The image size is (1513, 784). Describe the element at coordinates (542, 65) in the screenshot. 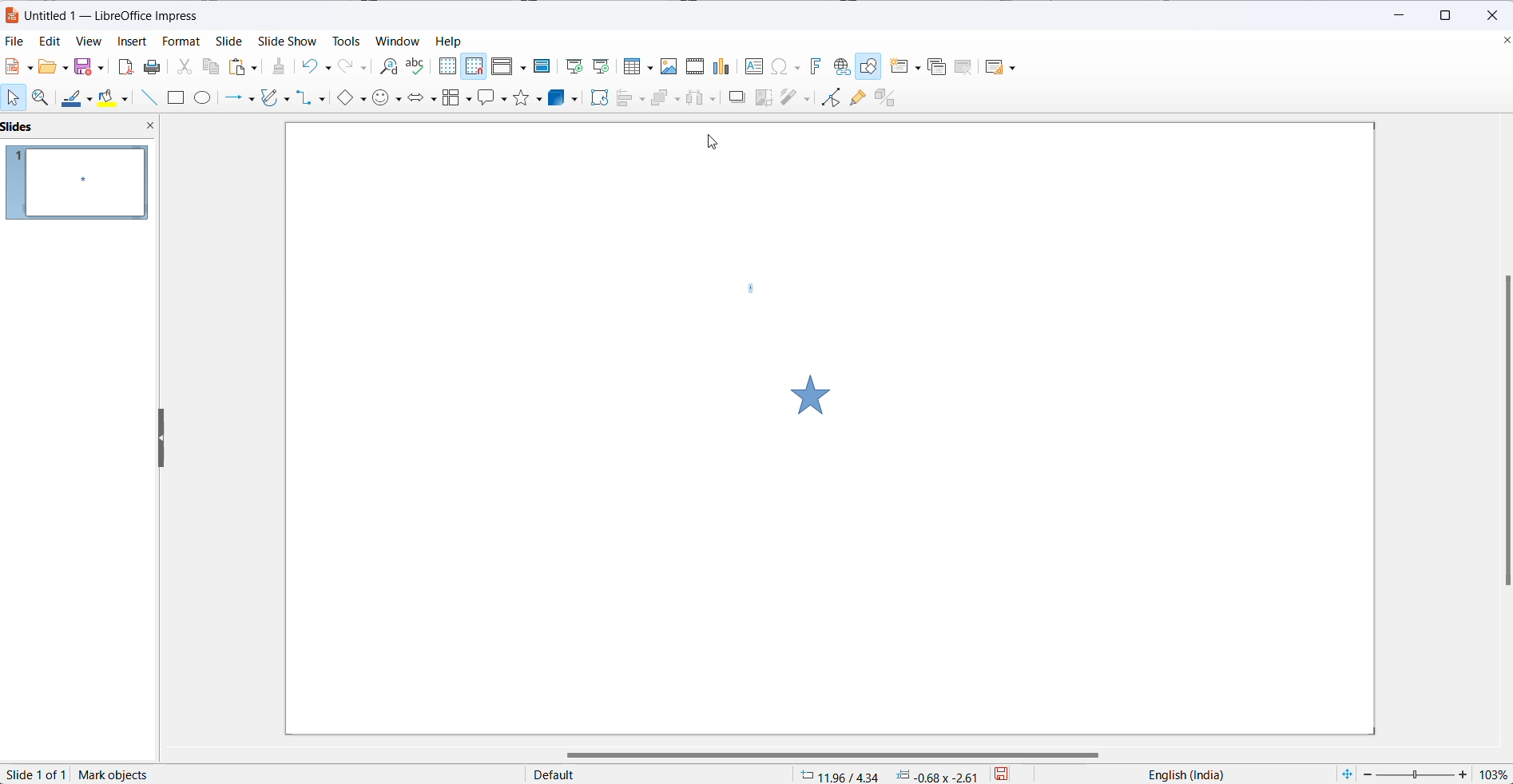

I see `master slide` at that location.